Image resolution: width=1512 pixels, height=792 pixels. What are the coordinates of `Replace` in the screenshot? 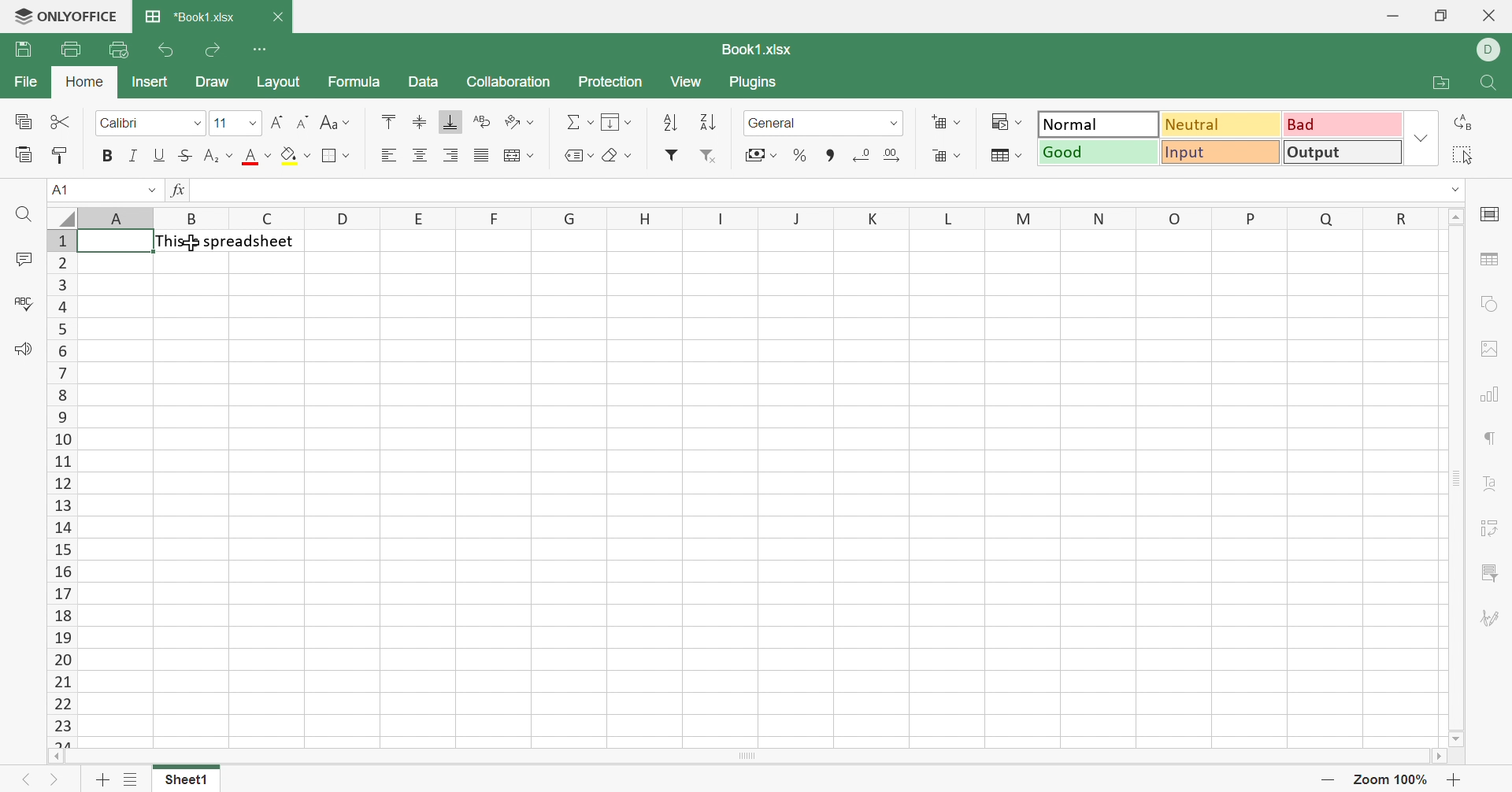 It's located at (1462, 125).